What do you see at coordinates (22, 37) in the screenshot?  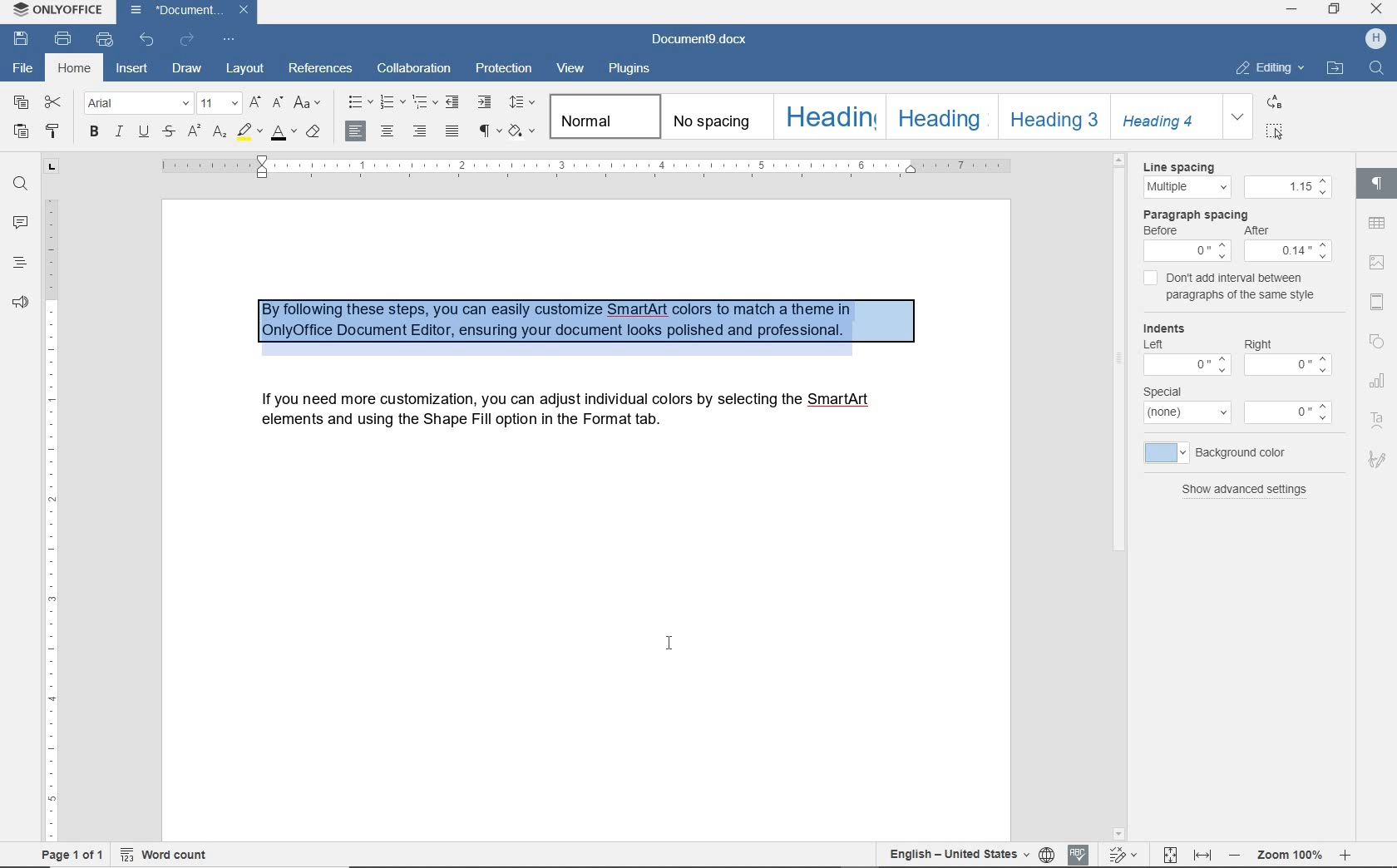 I see `save` at bounding box center [22, 37].